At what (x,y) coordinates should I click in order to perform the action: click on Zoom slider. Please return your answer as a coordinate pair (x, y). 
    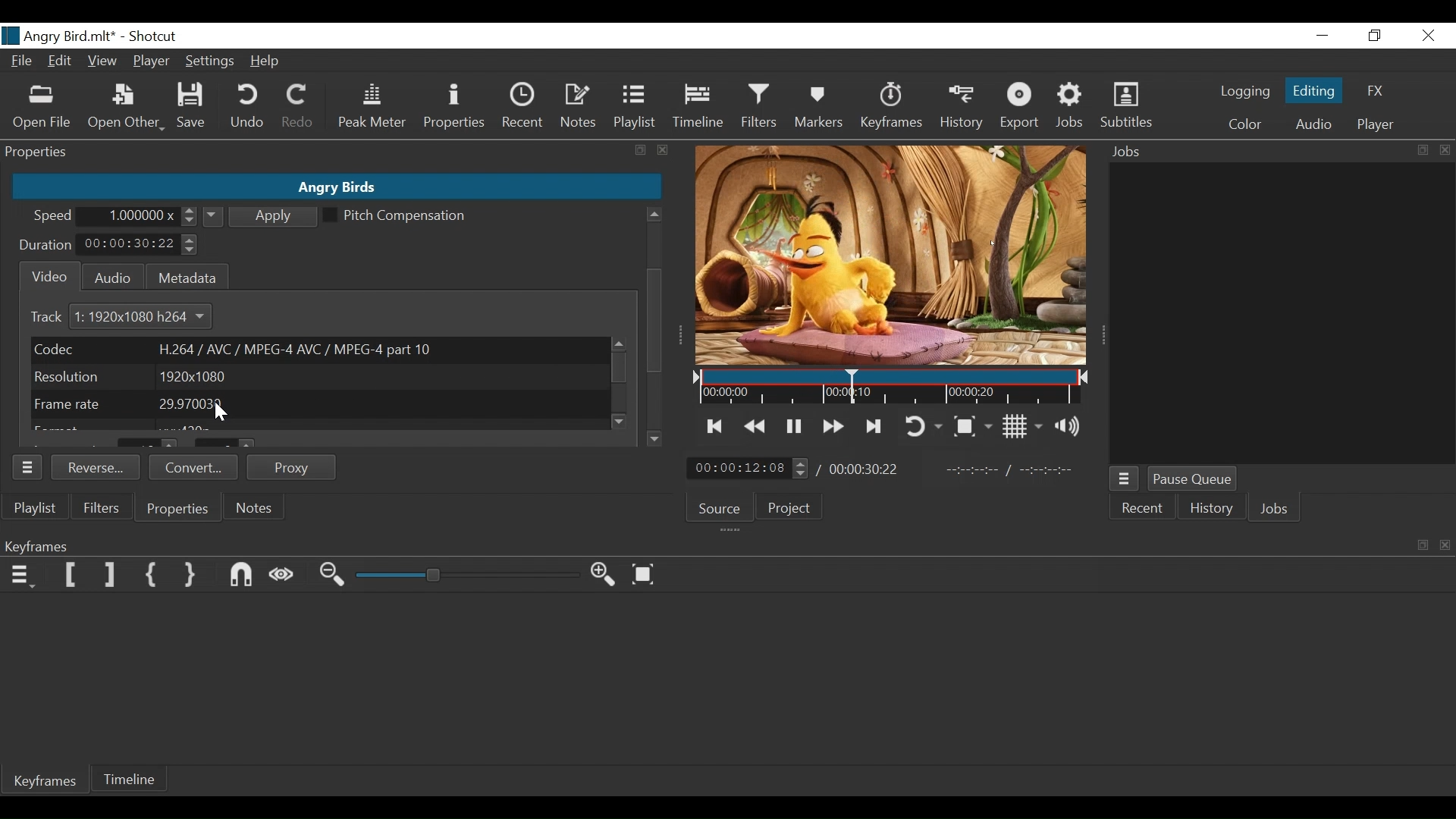
    Looking at the image, I should click on (467, 576).